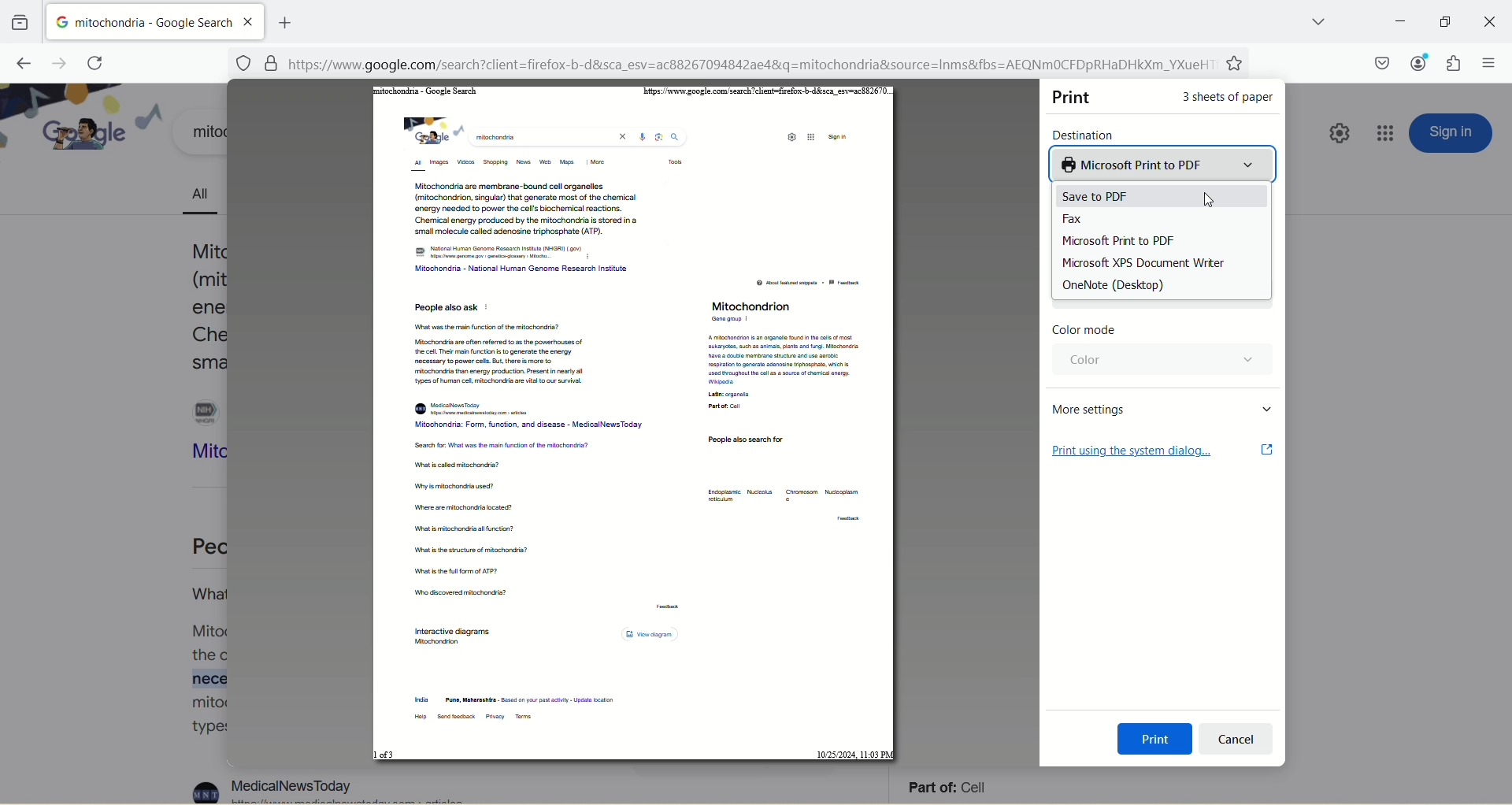  Describe the element at coordinates (1162, 408) in the screenshot. I see `more settings` at that location.